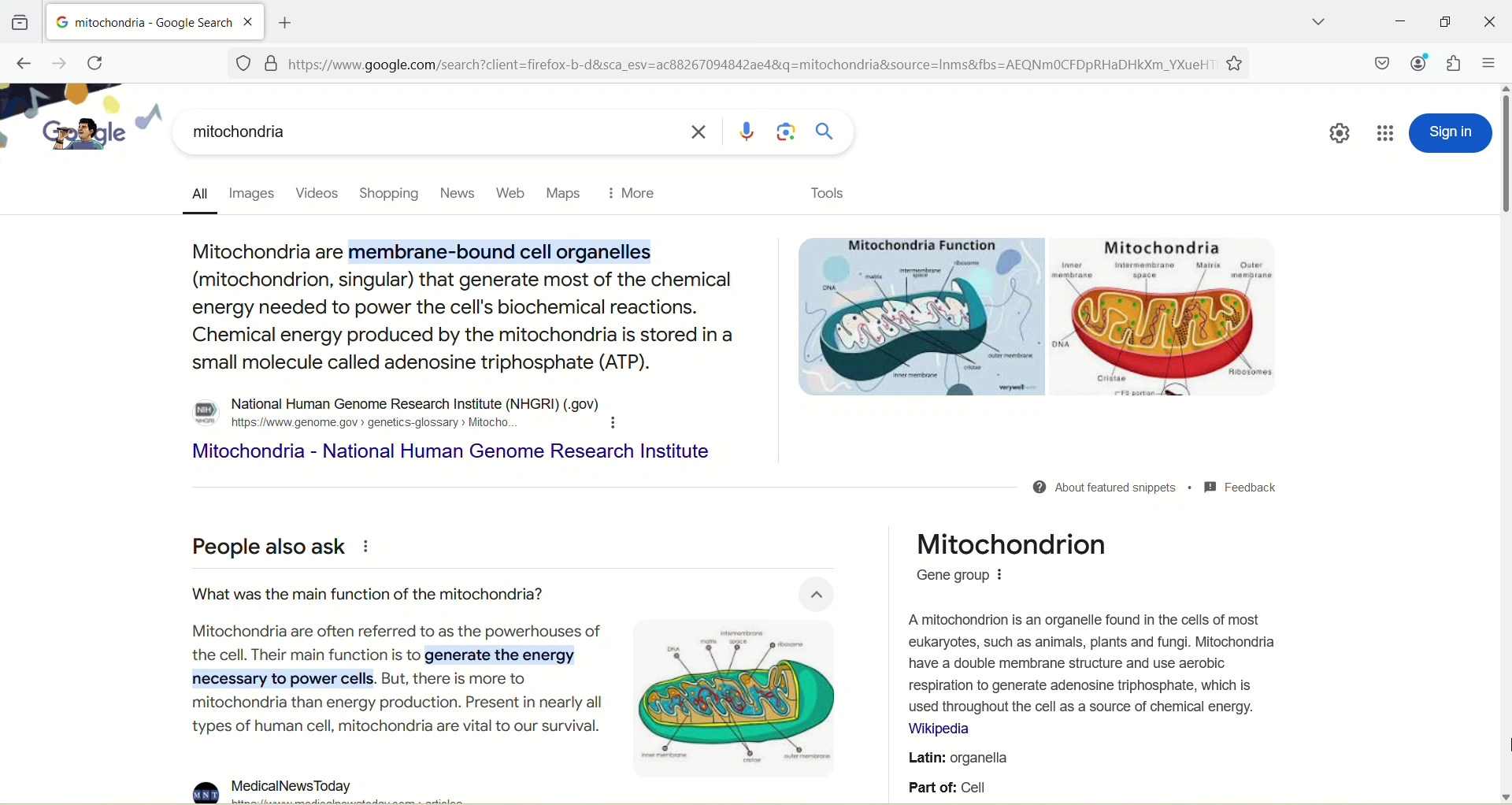 The width and height of the screenshot is (1512, 805). What do you see at coordinates (1237, 65) in the screenshot?
I see `favorites ` at bounding box center [1237, 65].